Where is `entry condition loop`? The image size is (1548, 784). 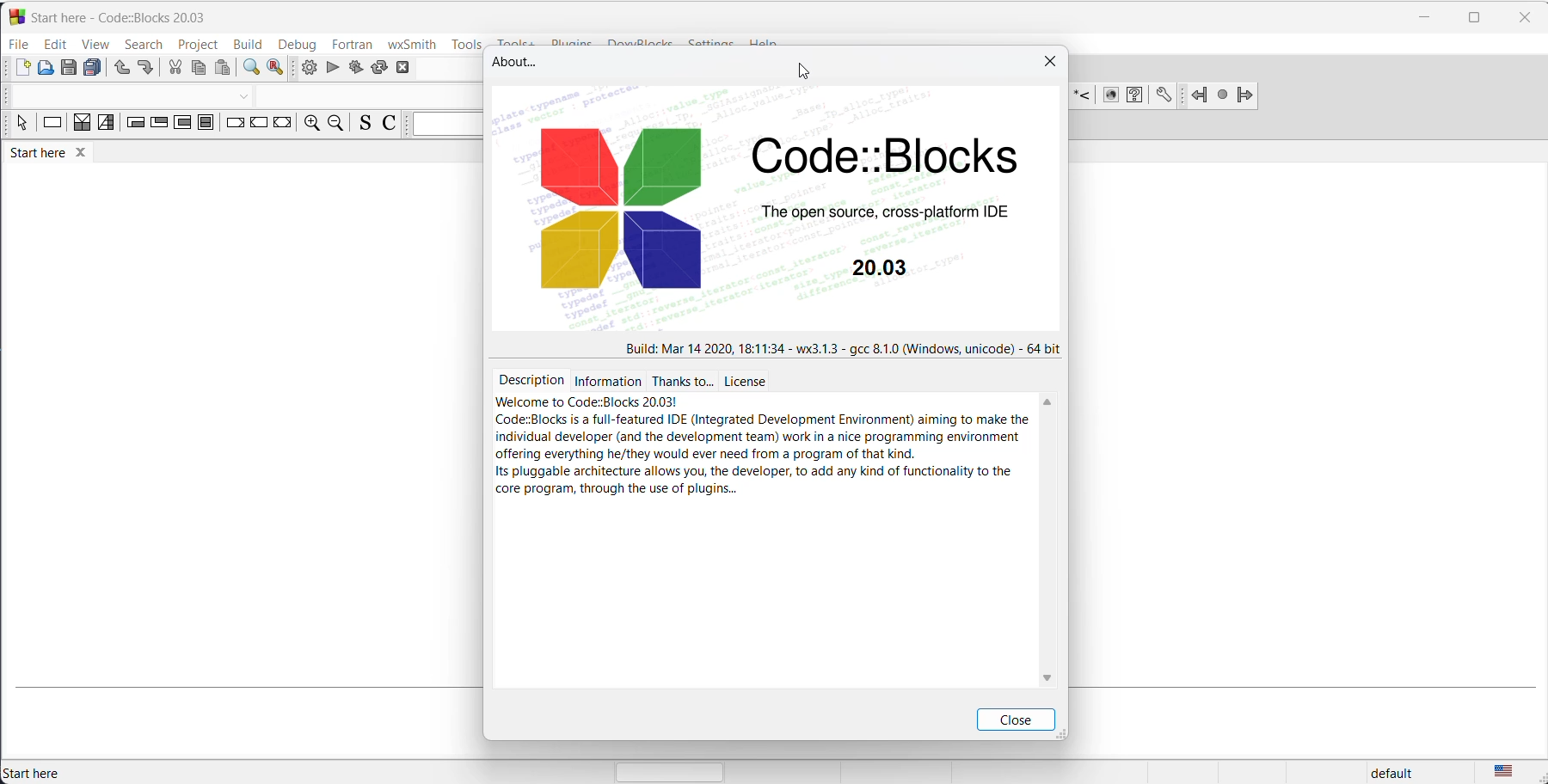
entry condition loop is located at coordinates (133, 125).